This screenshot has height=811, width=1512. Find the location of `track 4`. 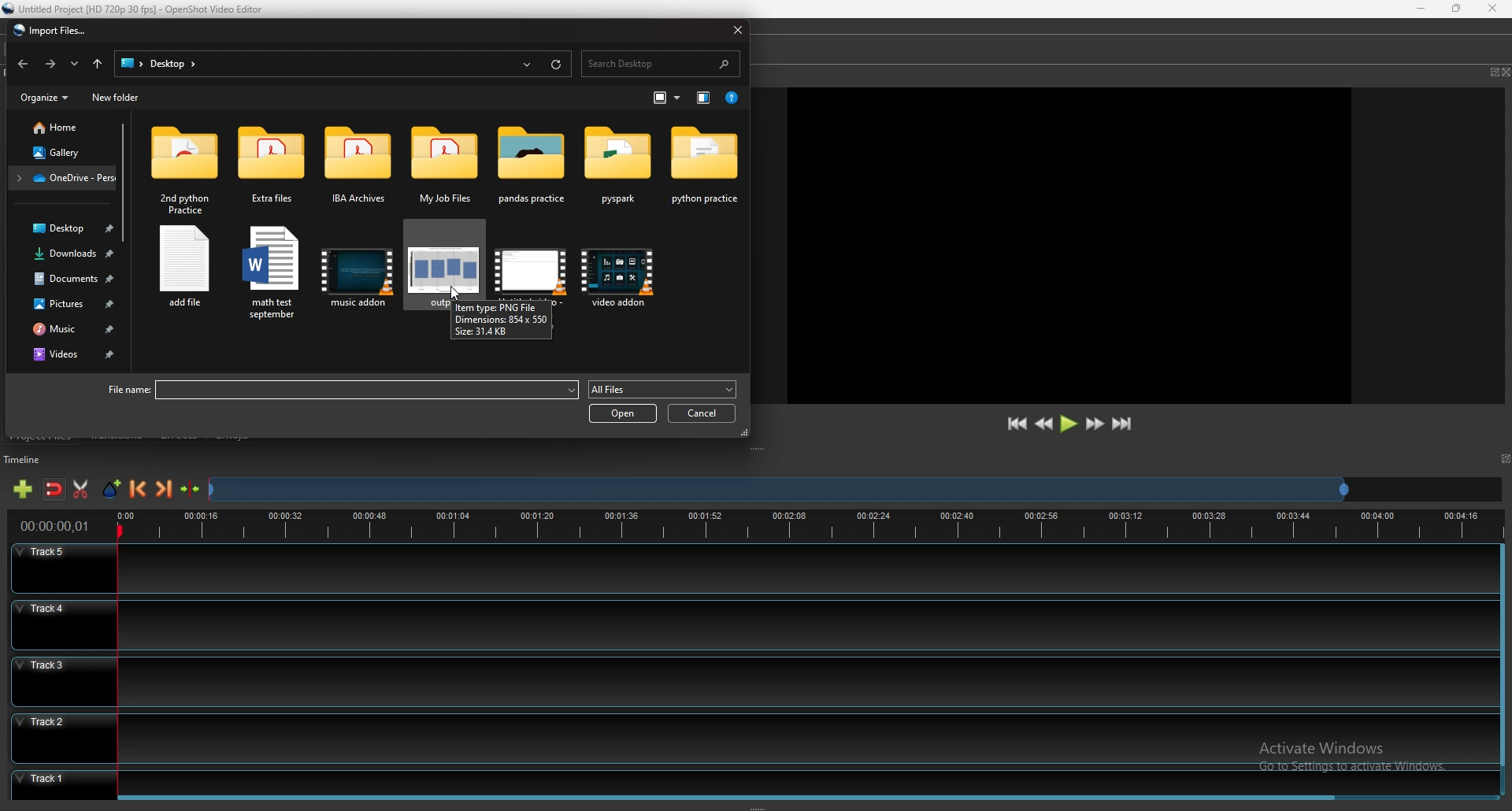

track 4 is located at coordinates (749, 624).